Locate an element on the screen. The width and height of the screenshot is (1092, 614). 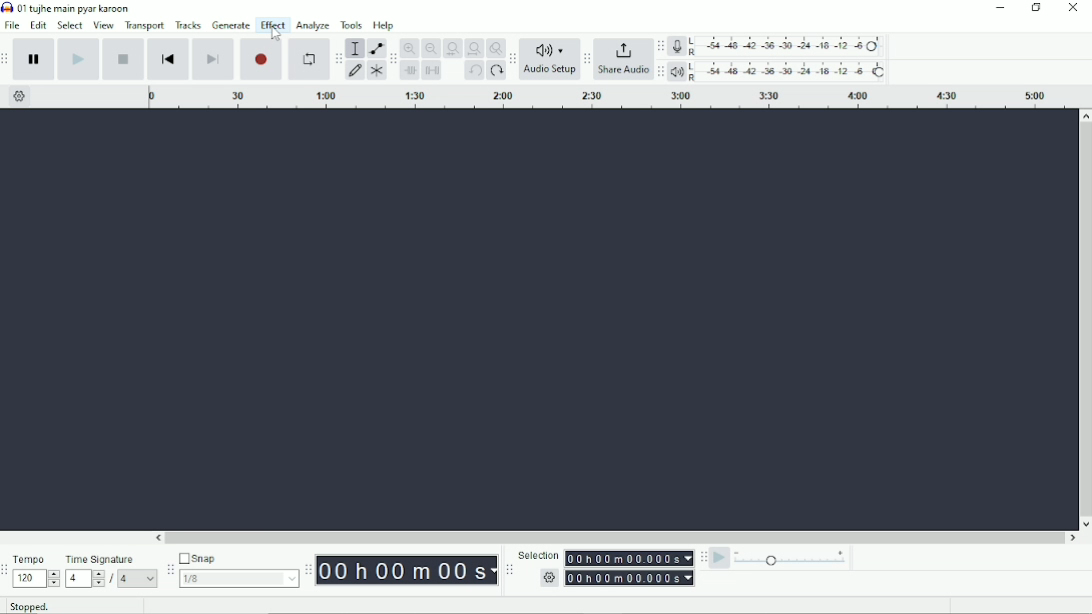
Audacity play-at-speed toolbar is located at coordinates (702, 558).